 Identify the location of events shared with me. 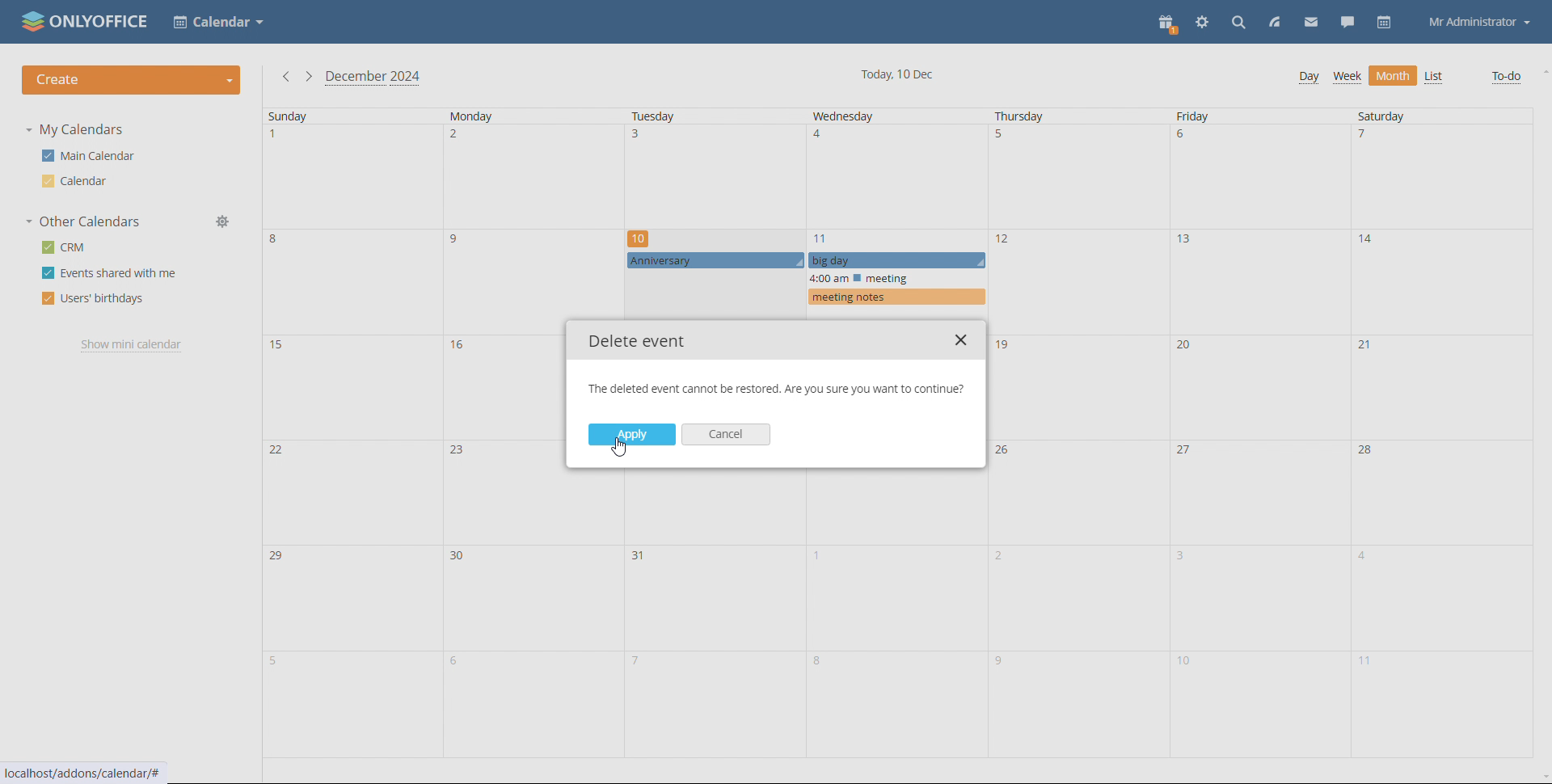
(111, 273).